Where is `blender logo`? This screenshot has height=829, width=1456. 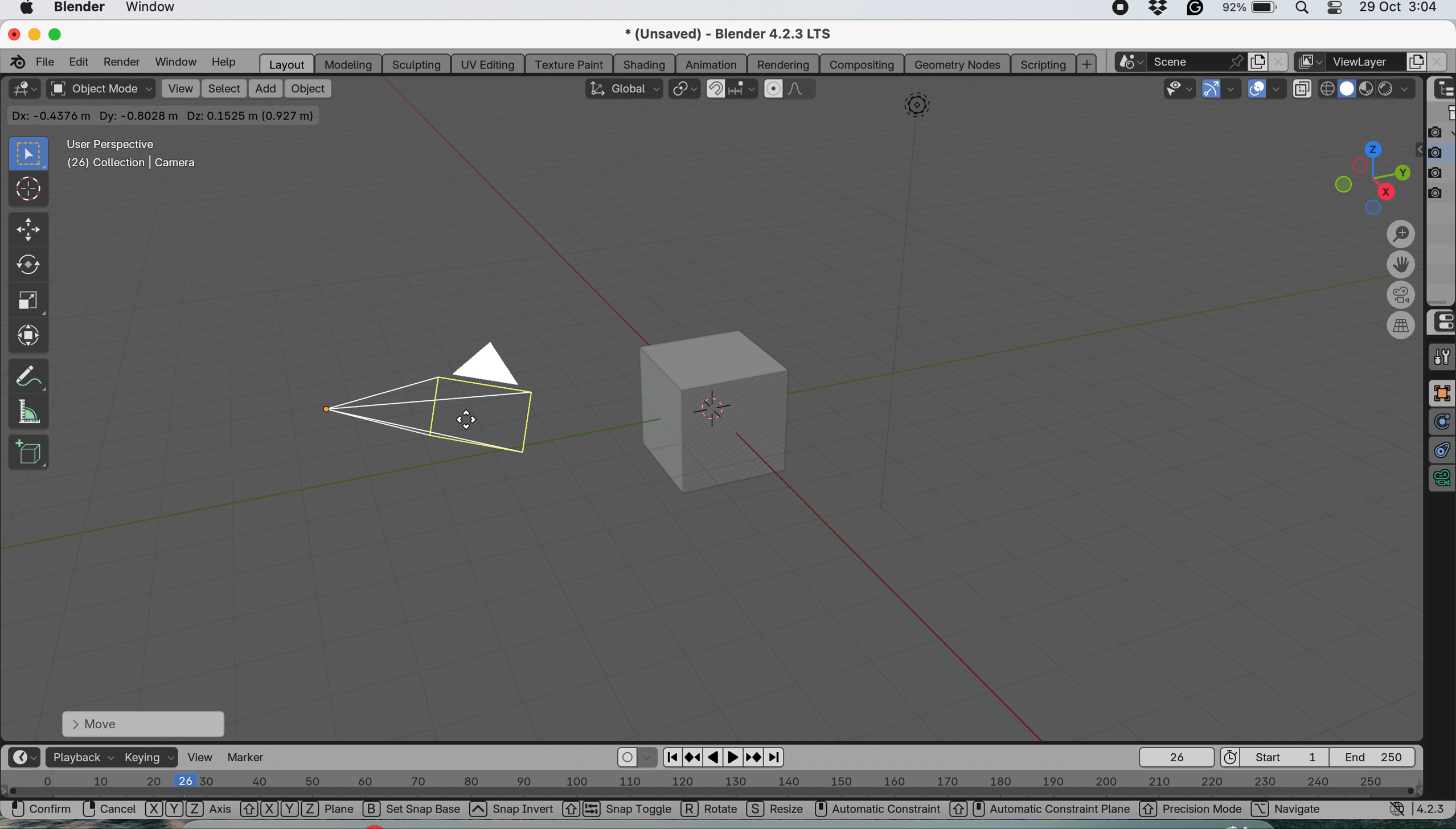 blender logo is located at coordinates (15, 61).